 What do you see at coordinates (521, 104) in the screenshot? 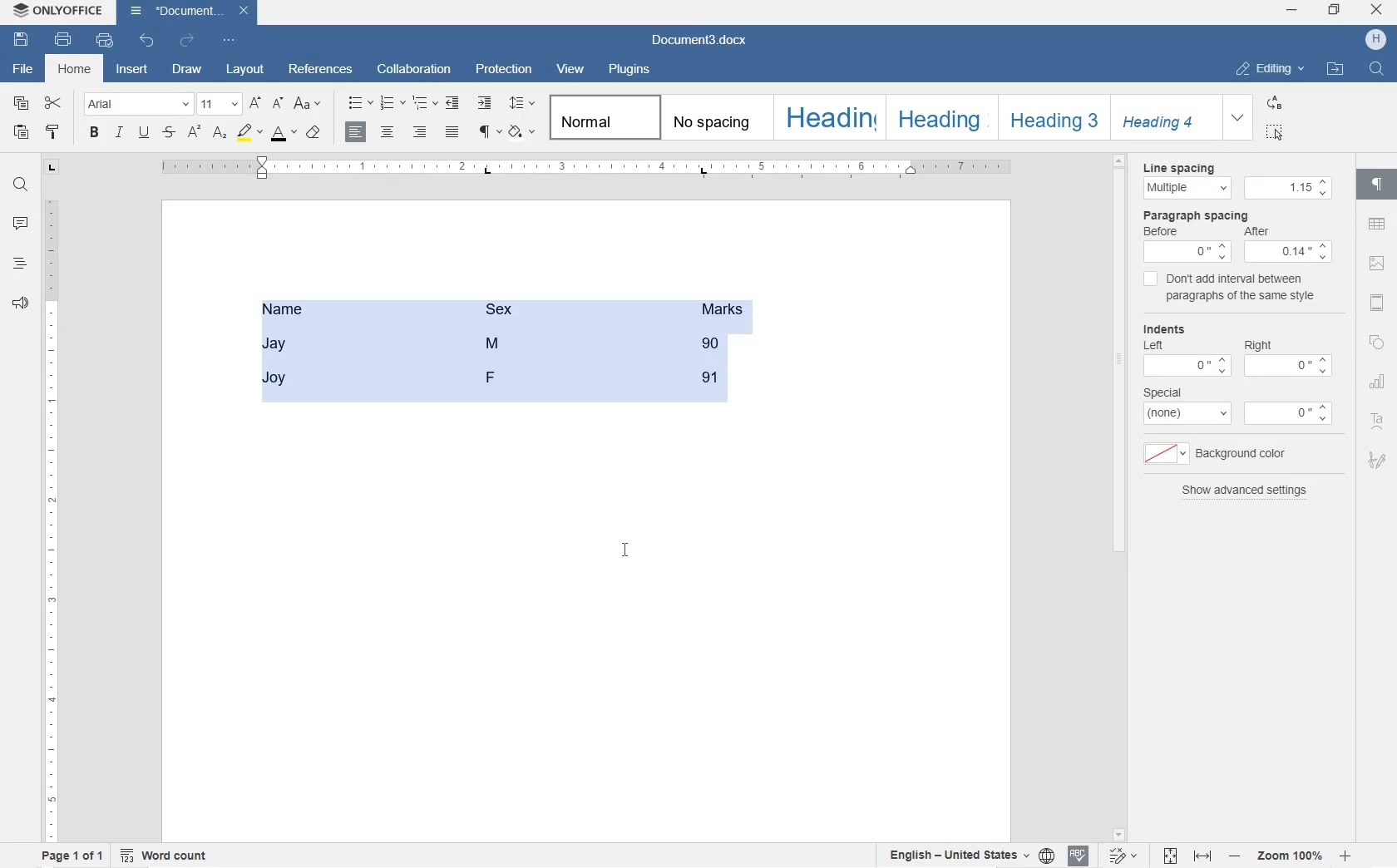
I see `PARAGRAPH LINE SPACING` at bounding box center [521, 104].